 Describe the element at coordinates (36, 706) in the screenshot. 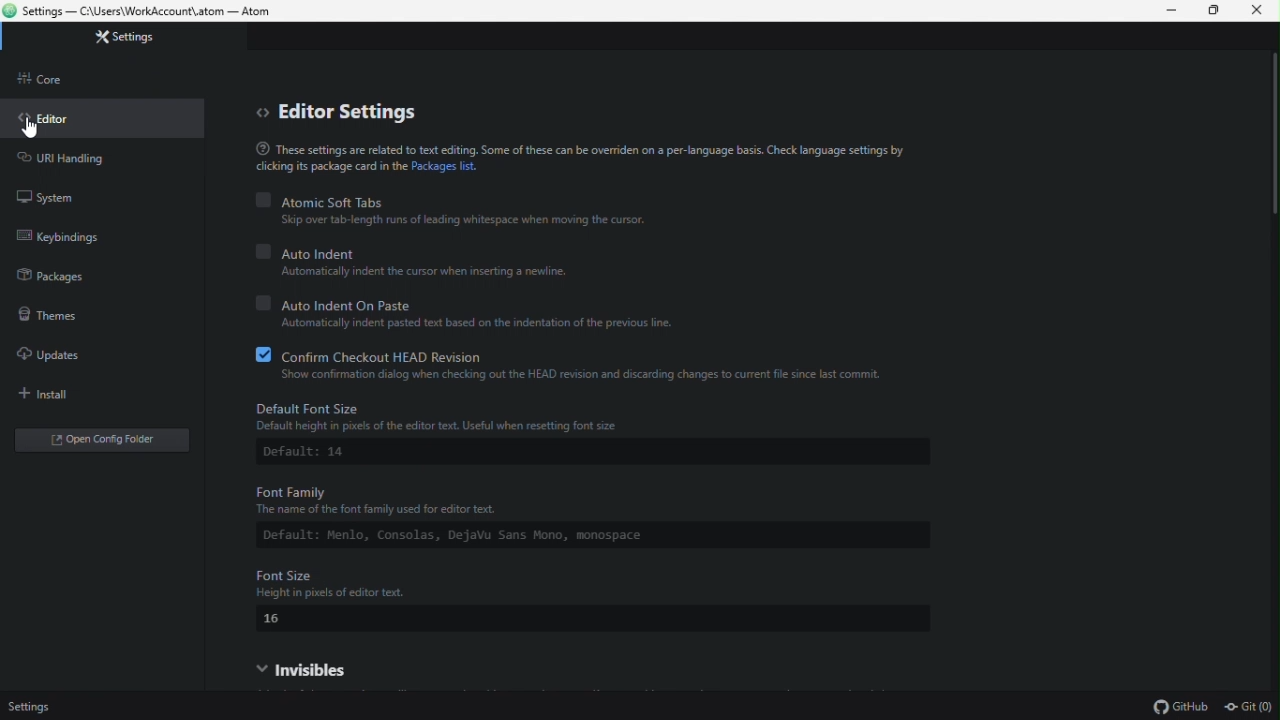

I see `Setting` at that location.